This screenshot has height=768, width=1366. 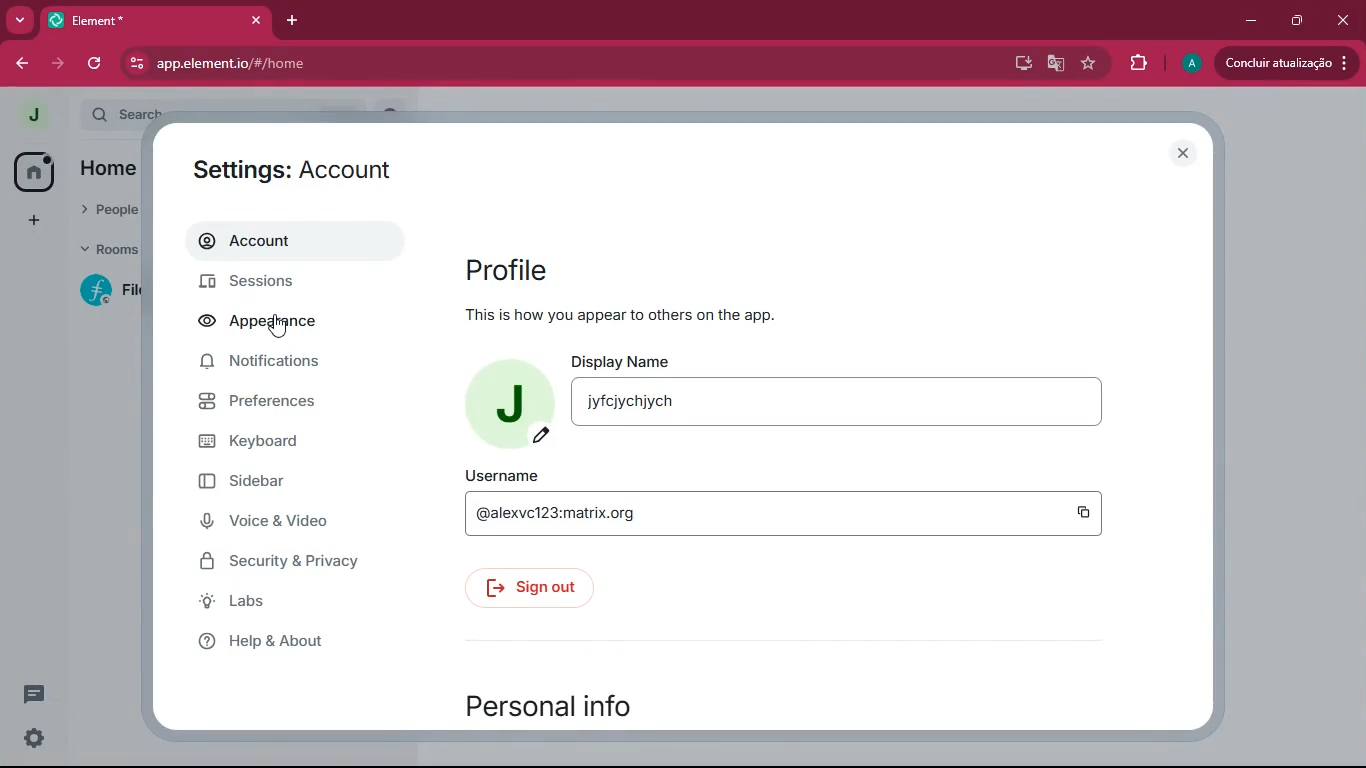 I want to click on labs, so click(x=289, y=602).